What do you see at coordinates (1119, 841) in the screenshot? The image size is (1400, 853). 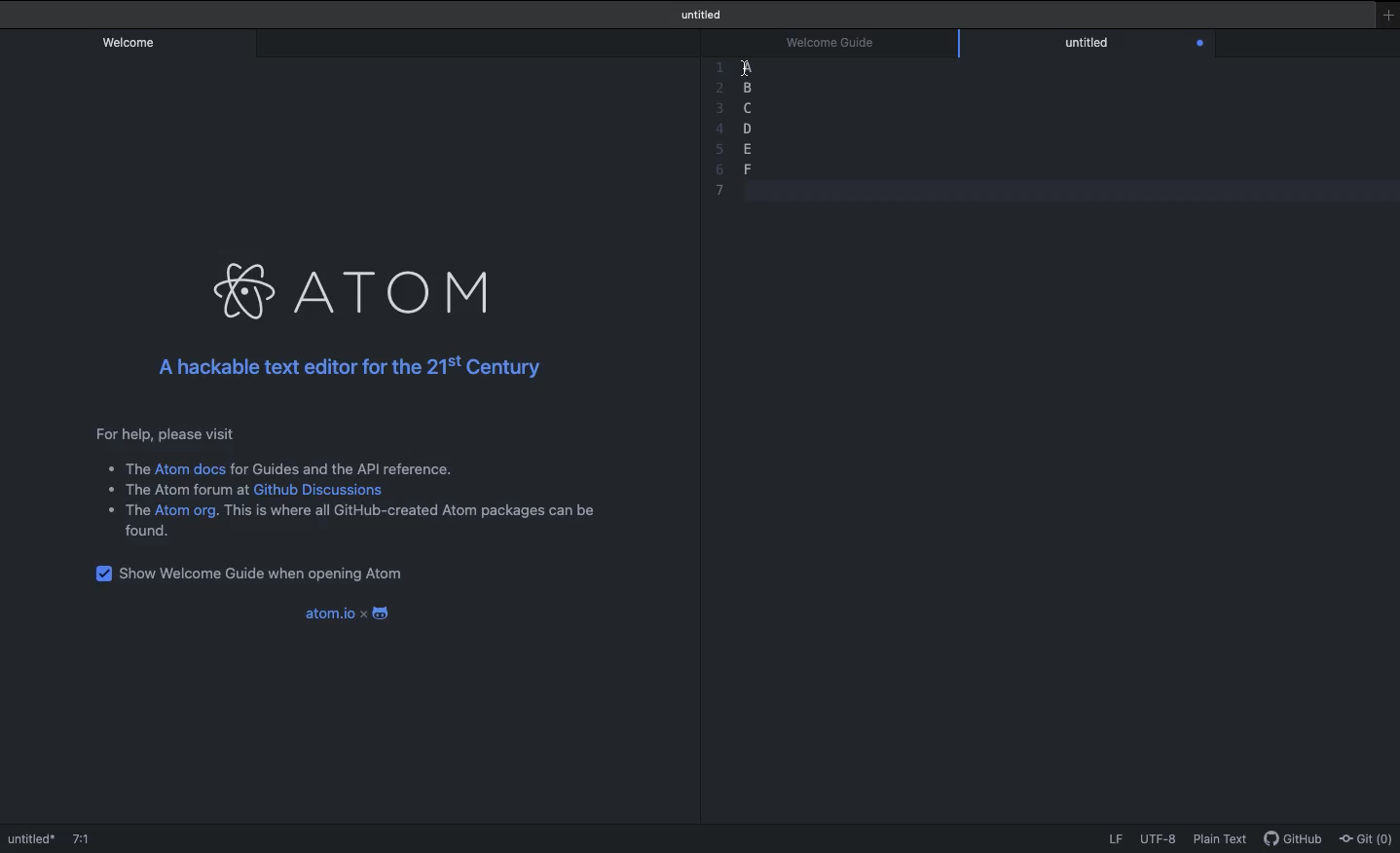 I see `LF` at bounding box center [1119, 841].